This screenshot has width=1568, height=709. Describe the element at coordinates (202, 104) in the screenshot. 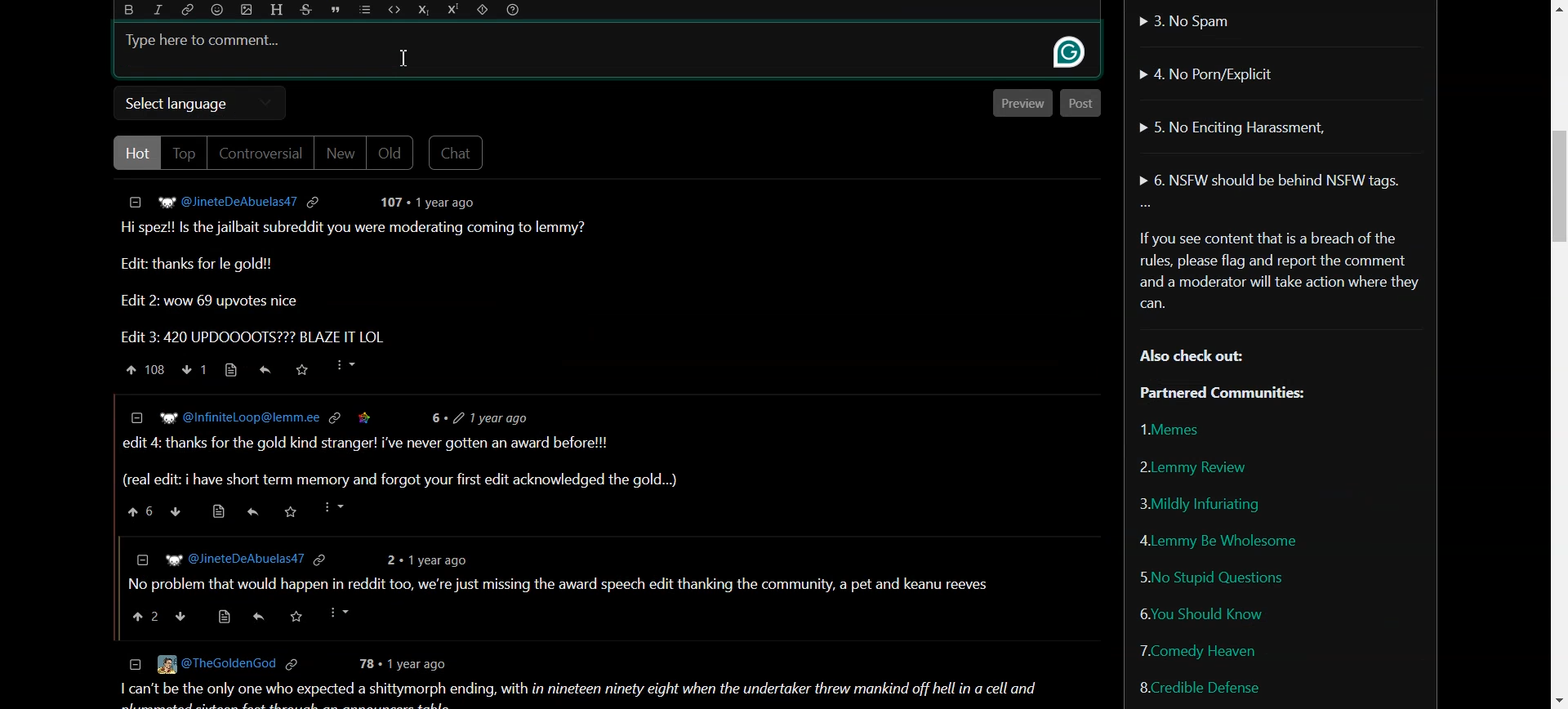

I see `Select language` at that location.